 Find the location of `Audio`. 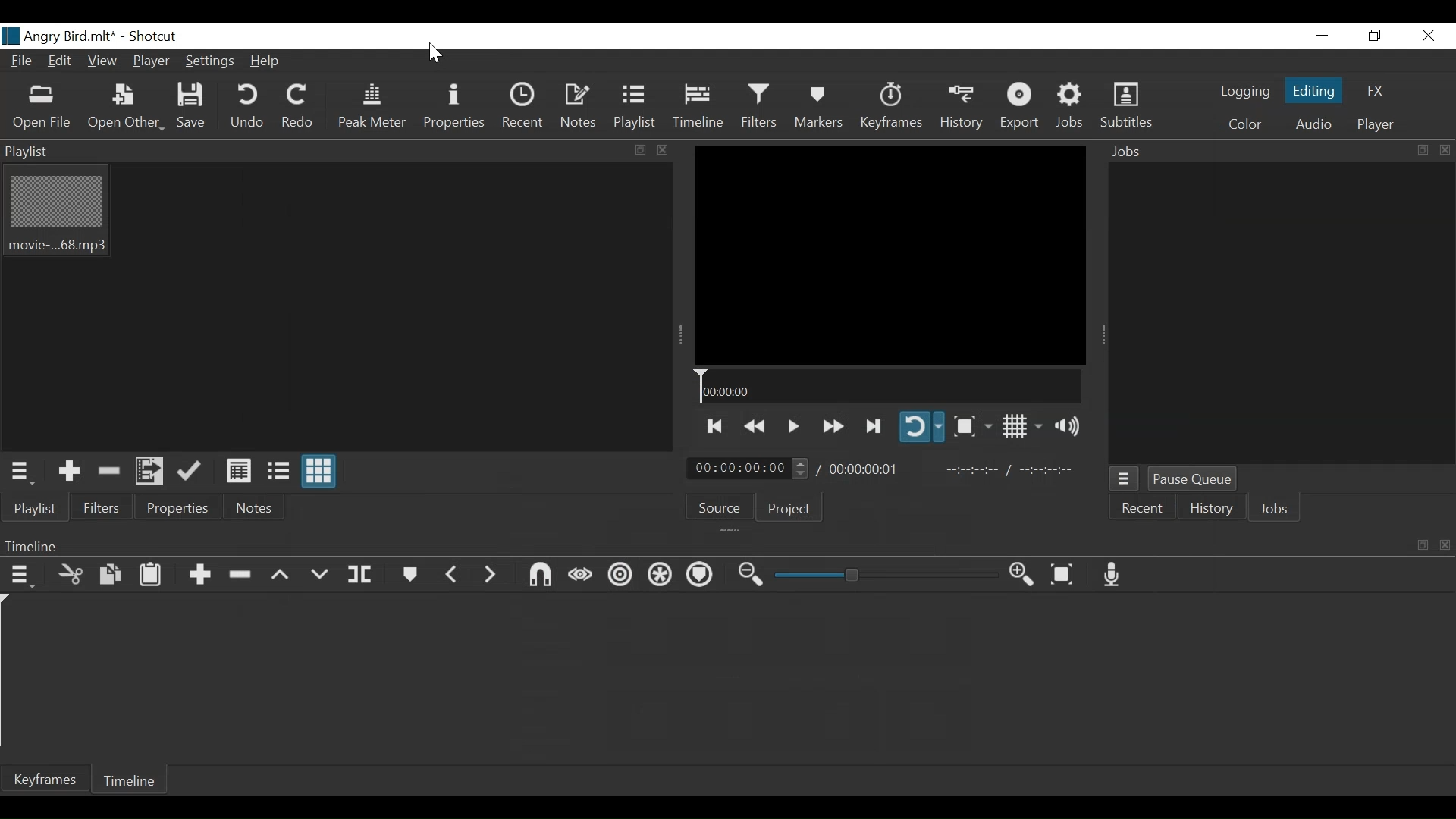

Audio is located at coordinates (1313, 124).